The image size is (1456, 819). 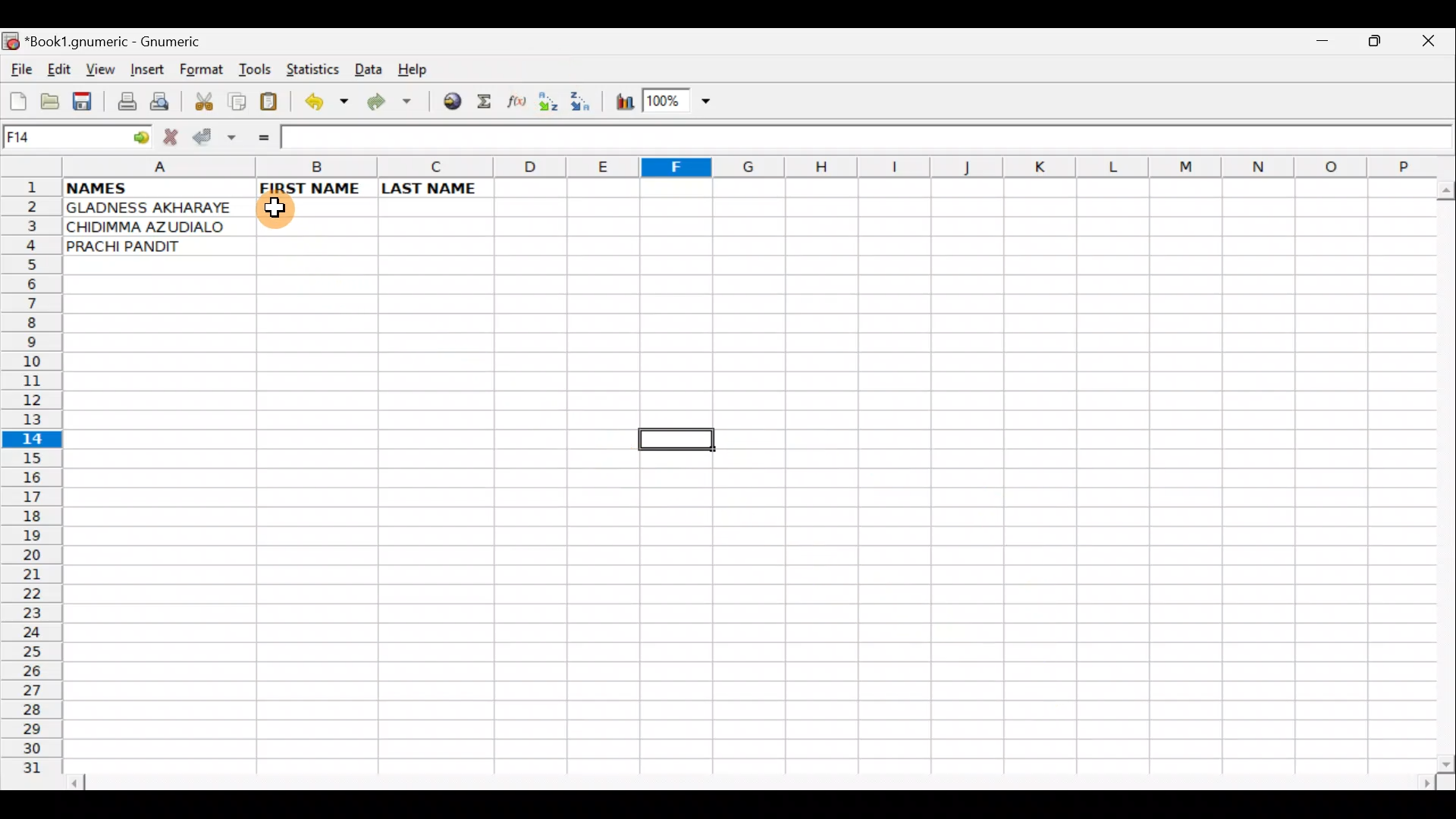 I want to click on Insert hyperlink, so click(x=450, y=102).